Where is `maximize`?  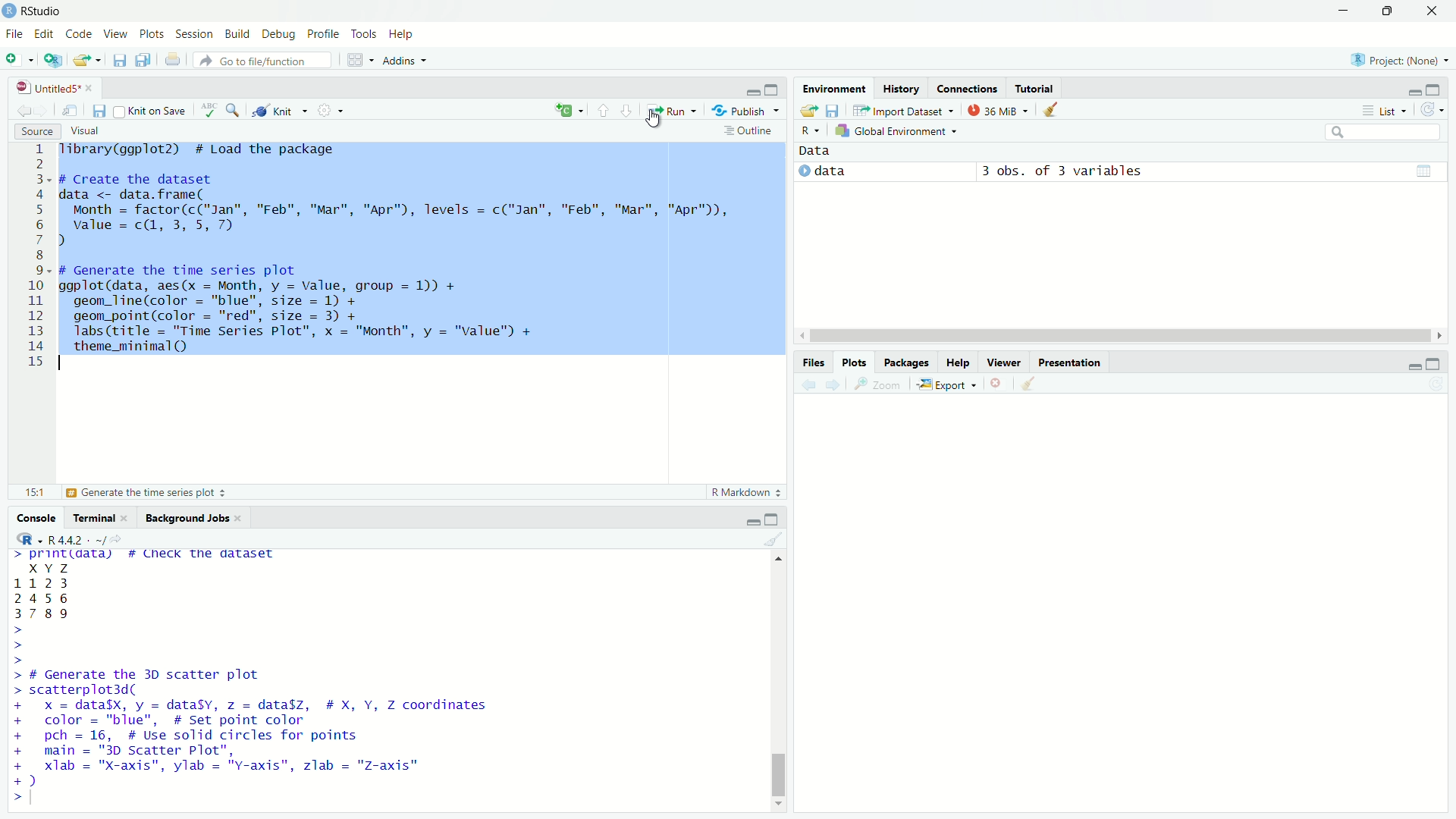 maximize is located at coordinates (773, 519).